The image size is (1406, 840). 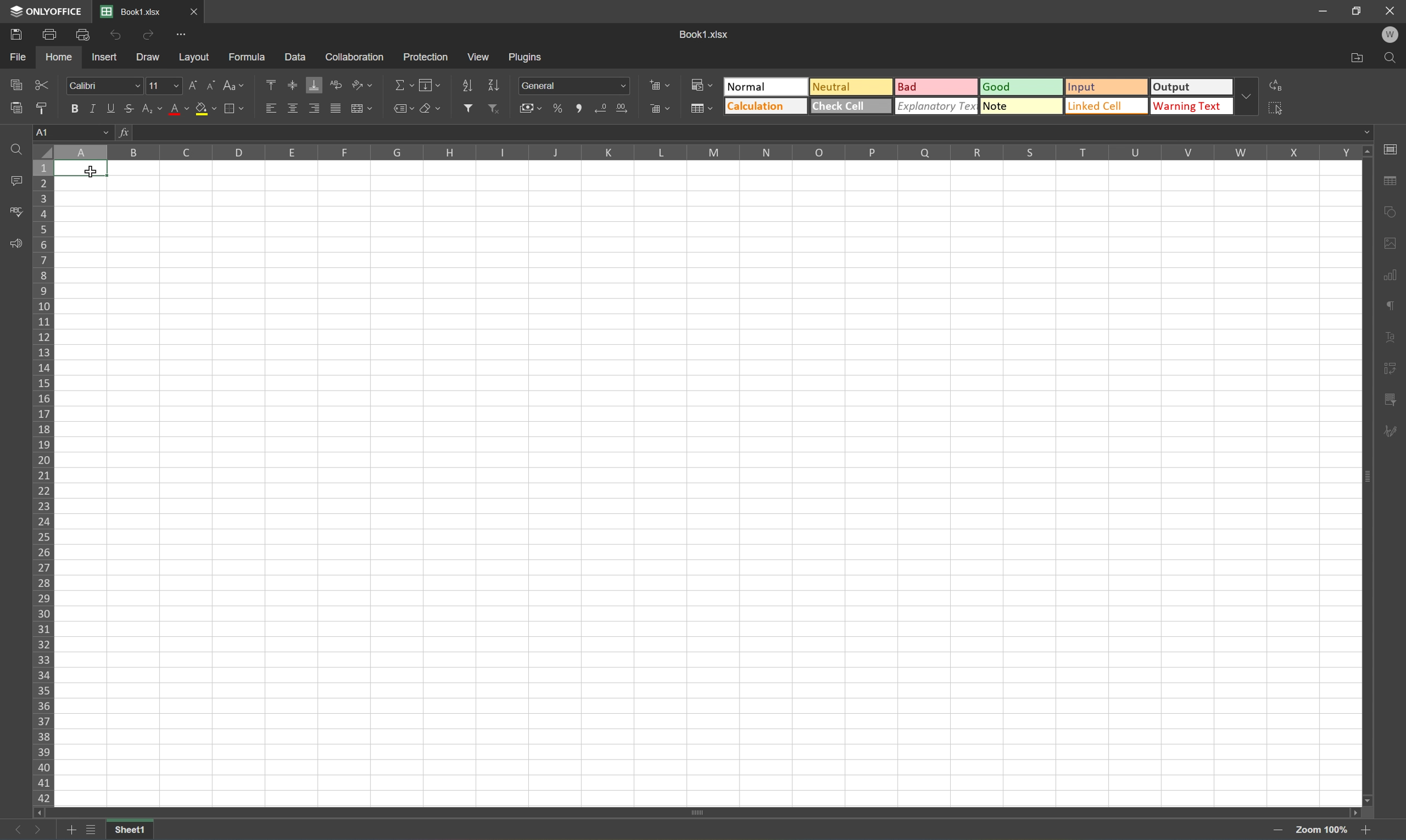 I want to click on Close, so click(x=193, y=10).